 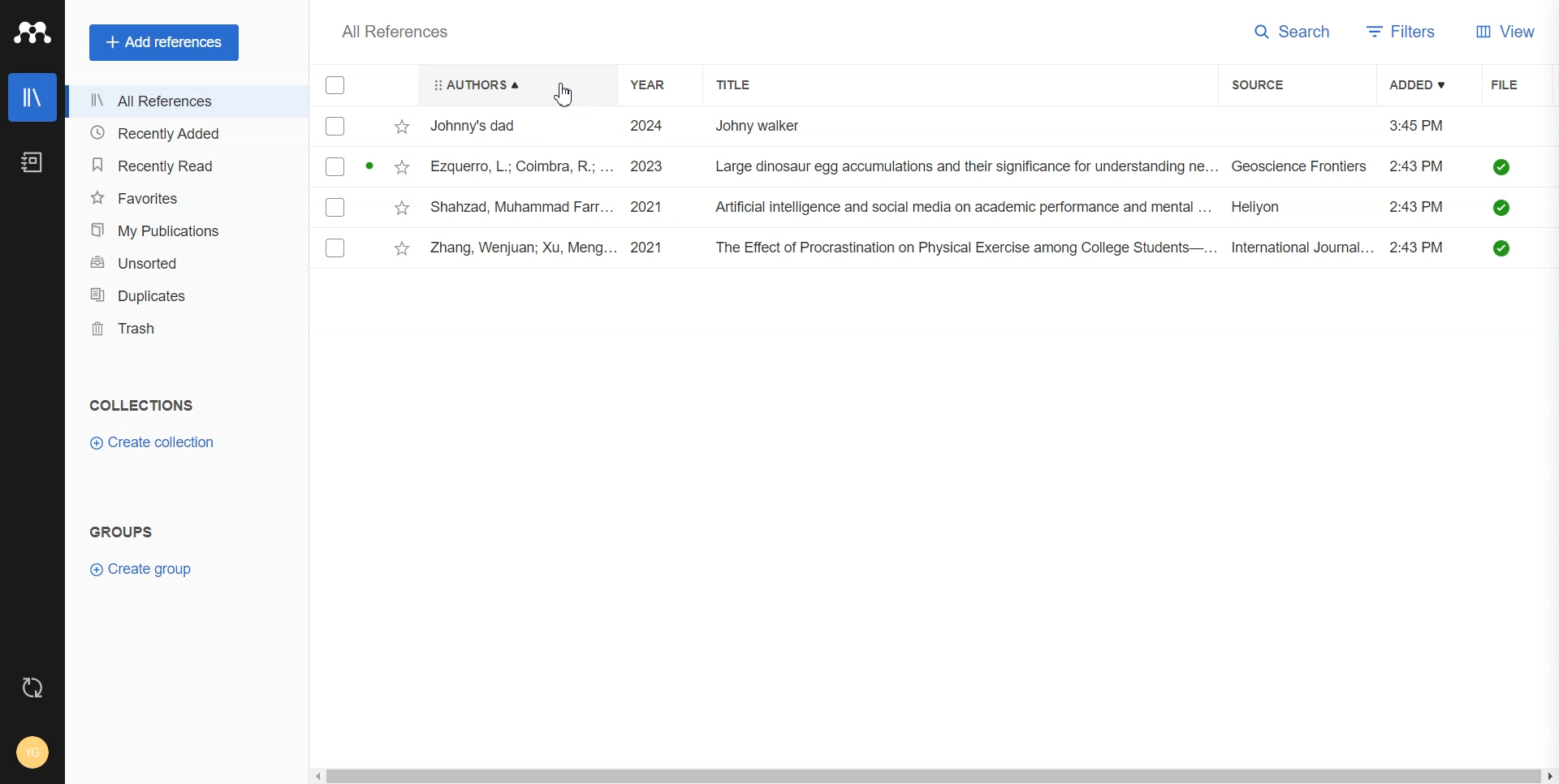 What do you see at coordinates (1402, 32) in the screenshot?
I see `Filters` at bounding box center [1402, 32].